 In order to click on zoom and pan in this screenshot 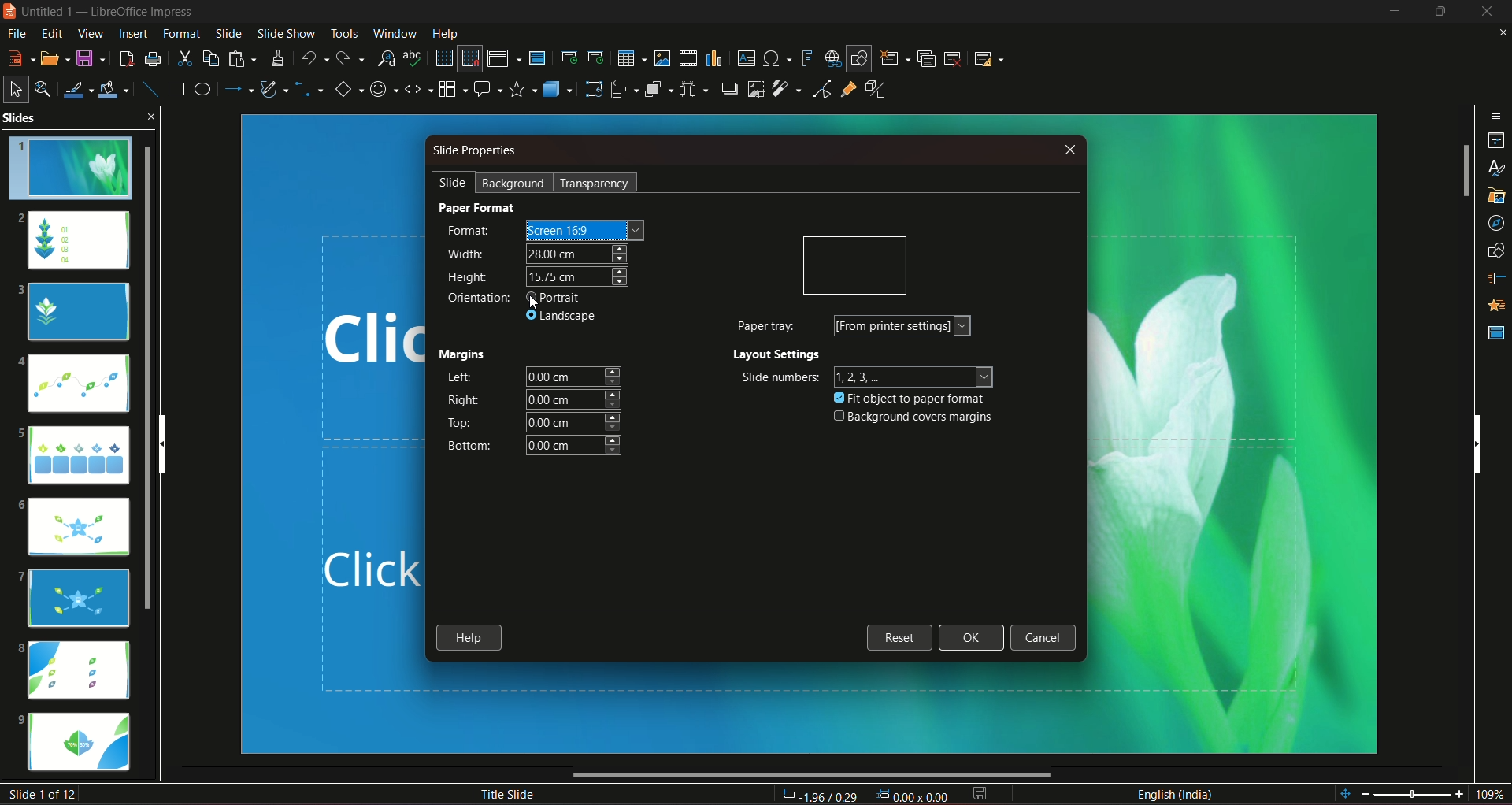, I will do `click(45, 88)`.